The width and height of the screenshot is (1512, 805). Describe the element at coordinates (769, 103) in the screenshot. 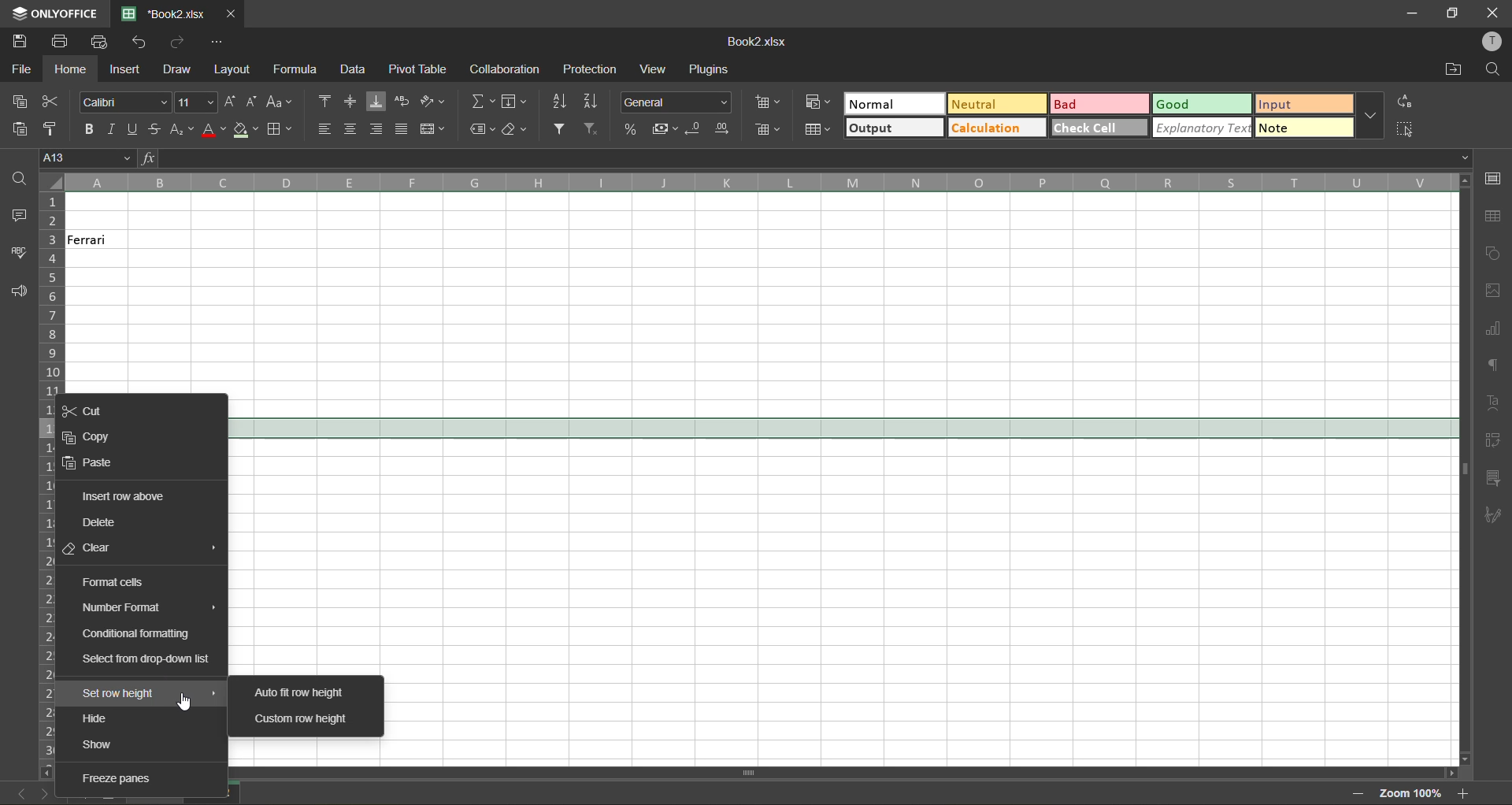

I see `insert cells` at that location.